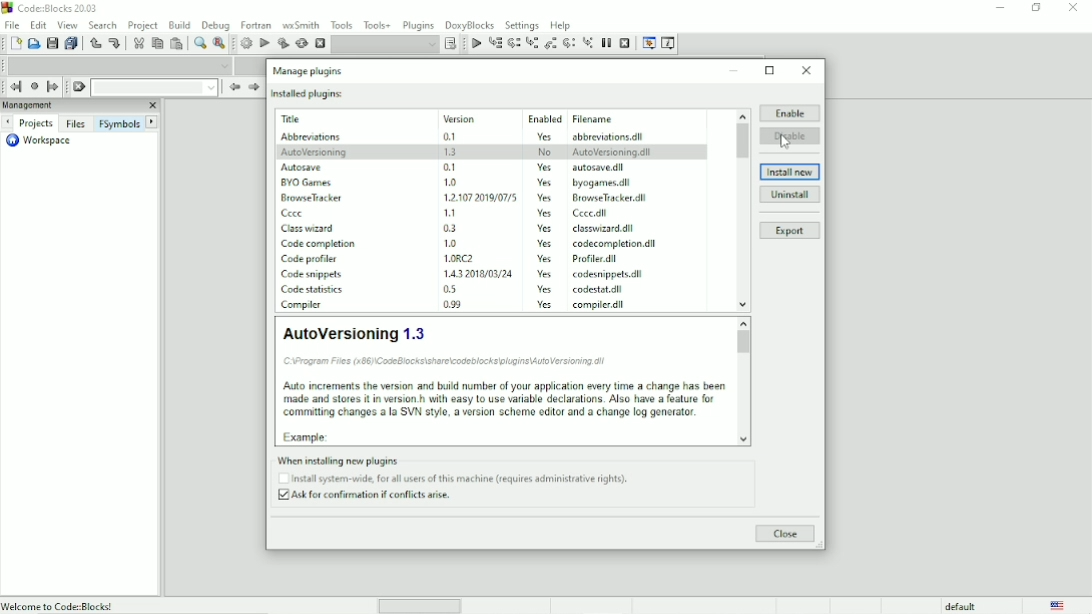  Describe the element at coordinates (613, 152) in the screenshot. I see `AutoVersioning.dll` at that location.